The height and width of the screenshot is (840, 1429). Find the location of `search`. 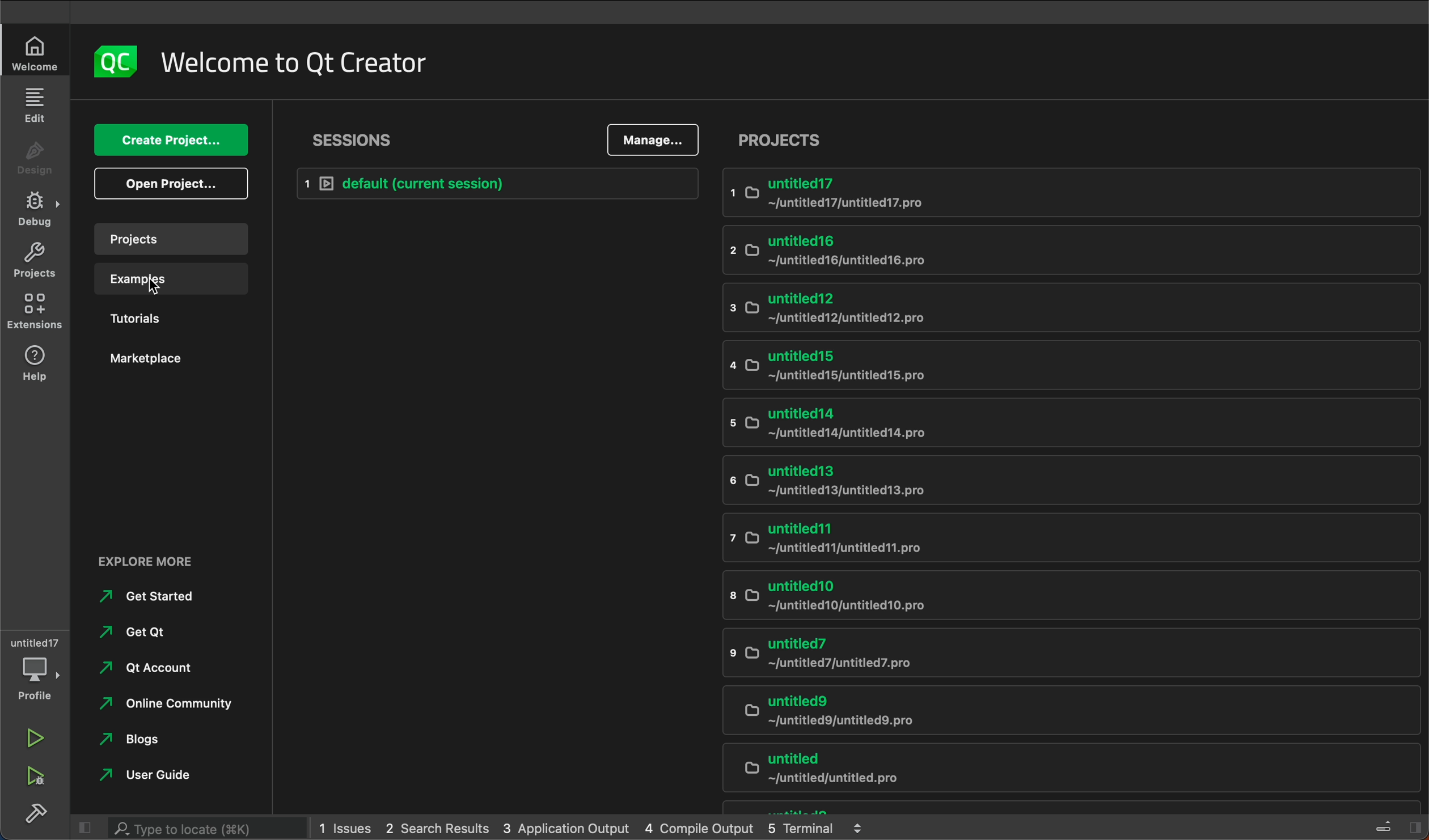

search is located at coordinates (209, 829).